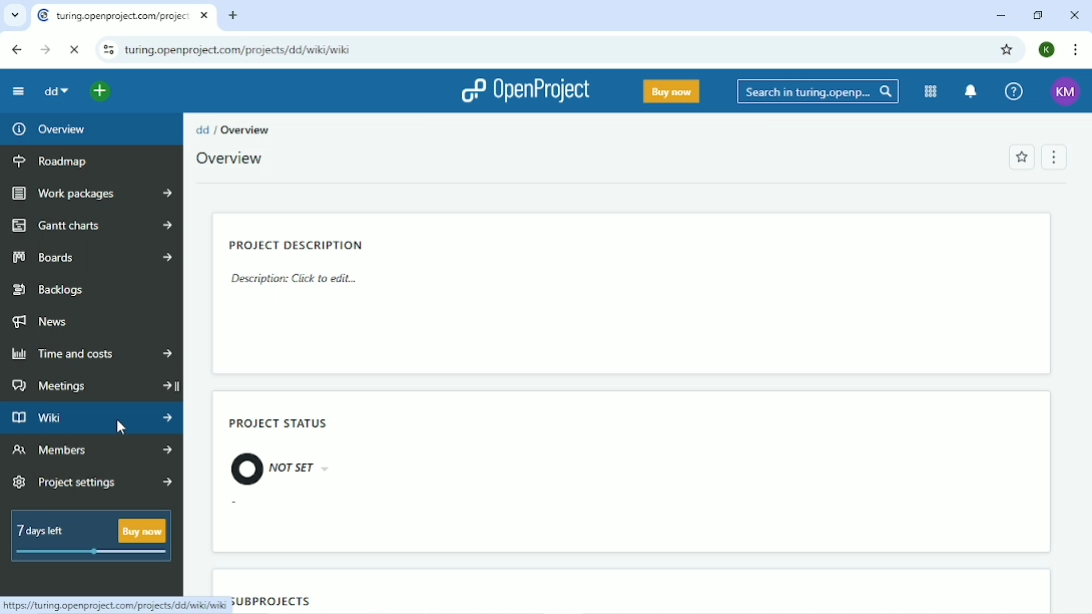  What do you see at coordinates (233, 130) in the screenshot?
I see `dd / Overview` at bounding box center [233, 130].